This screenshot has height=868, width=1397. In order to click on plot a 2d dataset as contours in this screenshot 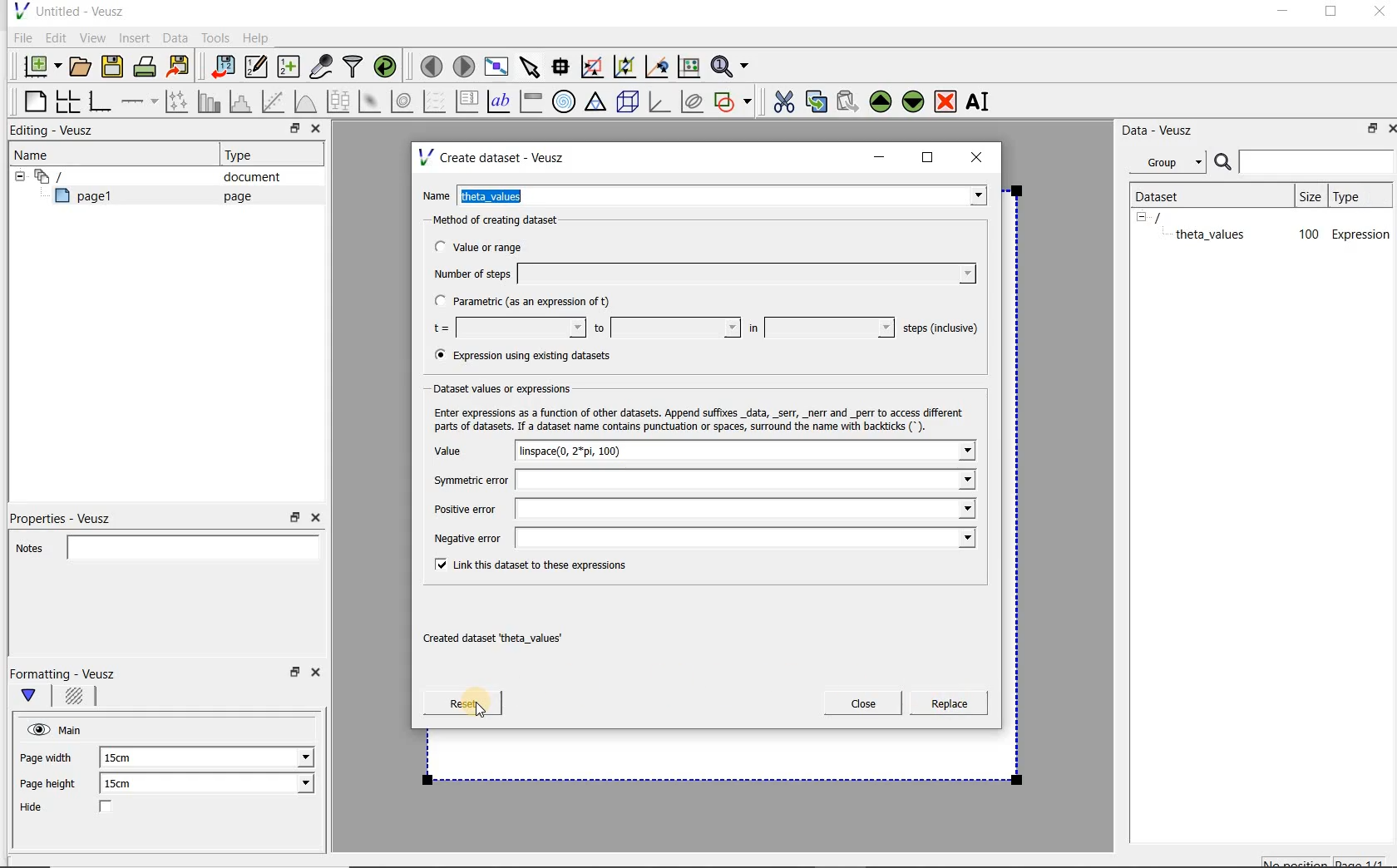, I will do `click(403, 101)`.